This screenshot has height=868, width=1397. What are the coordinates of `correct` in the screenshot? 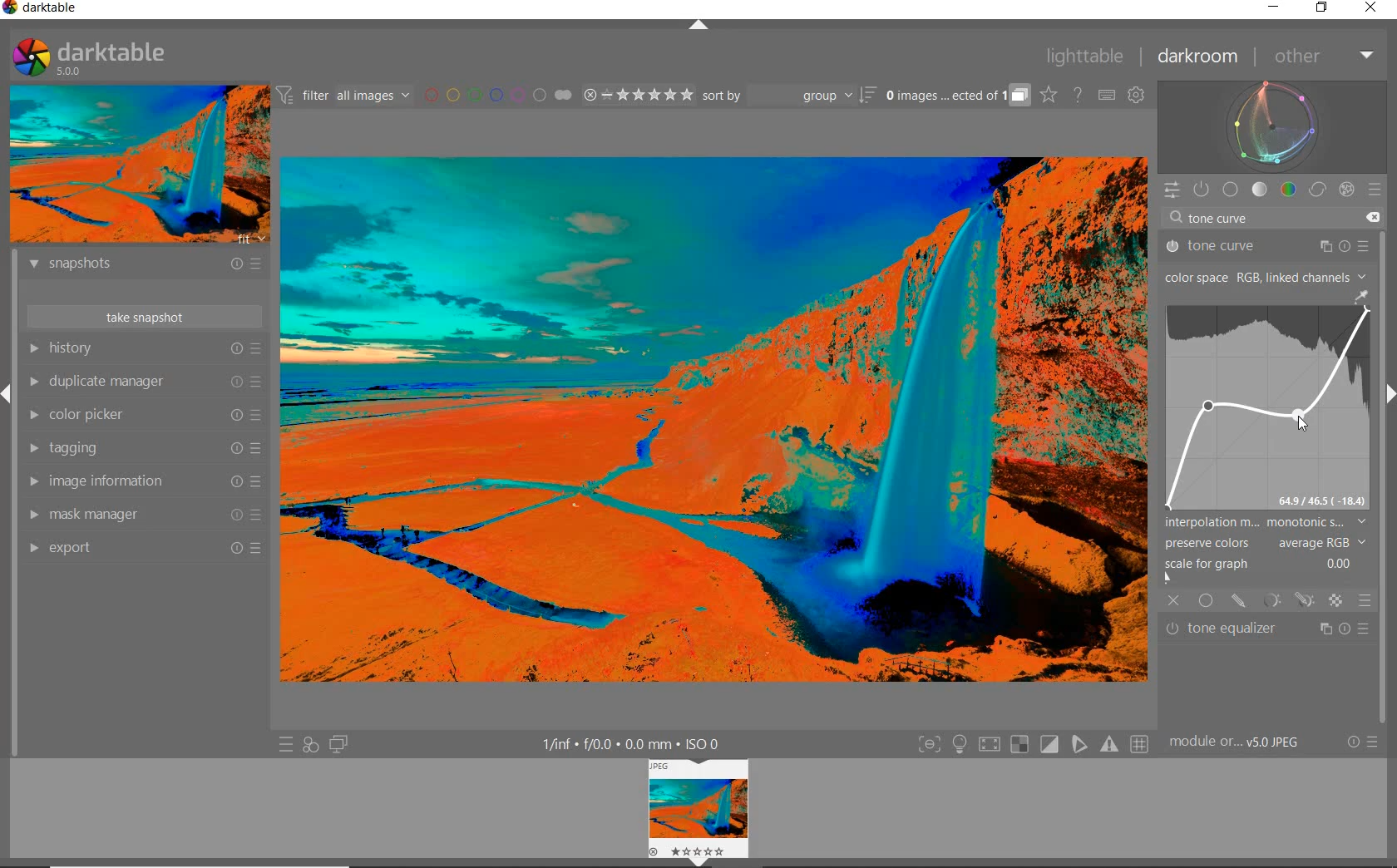 It's located at (1316, 189).